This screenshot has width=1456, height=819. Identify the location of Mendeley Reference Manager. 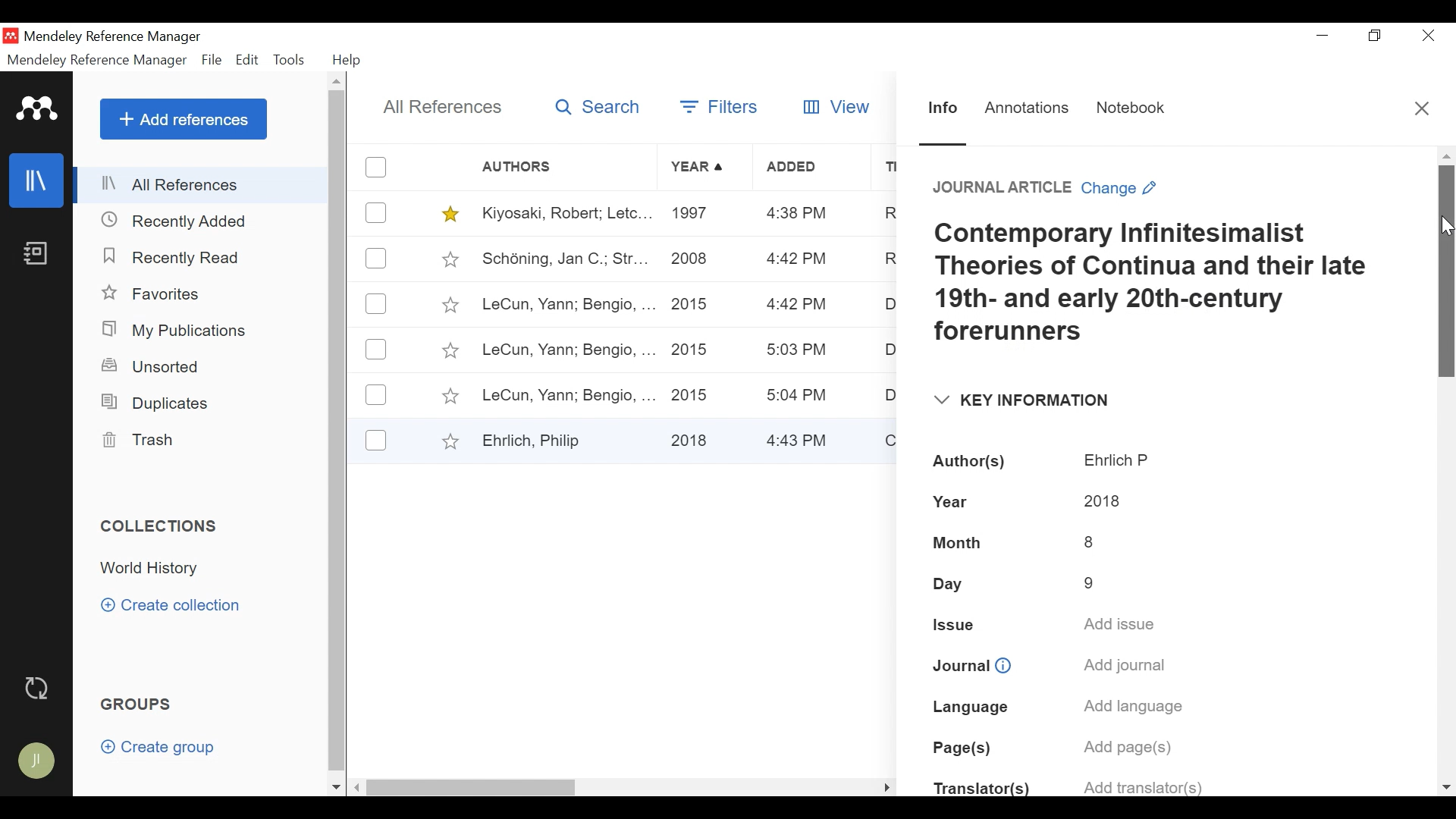
(113, 38).